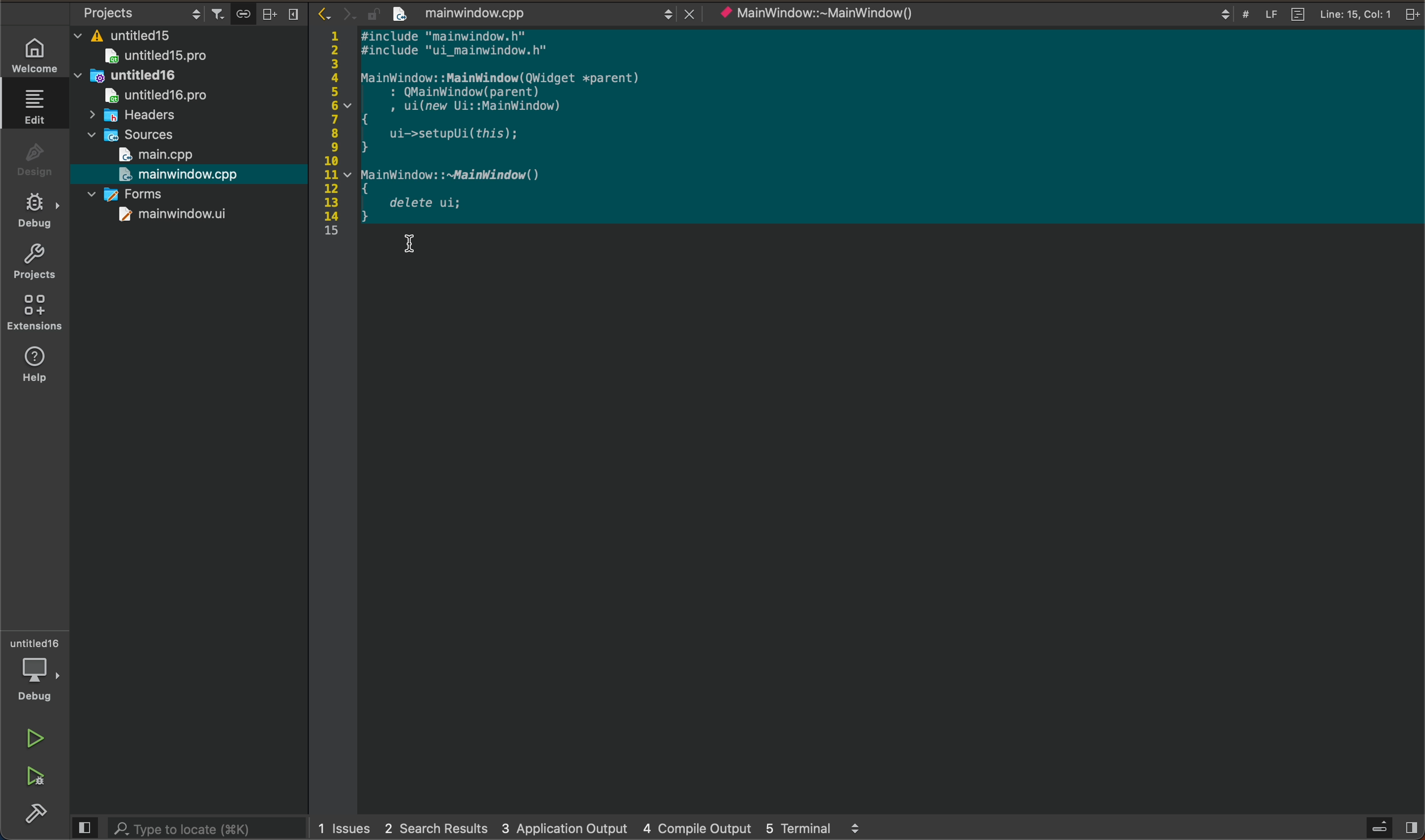 Image resolution: width=1425 pixels, height=840 pixels. Describe the element at coordinates (374, 14) in the screenshot. I see `lock/unlock` at that location.